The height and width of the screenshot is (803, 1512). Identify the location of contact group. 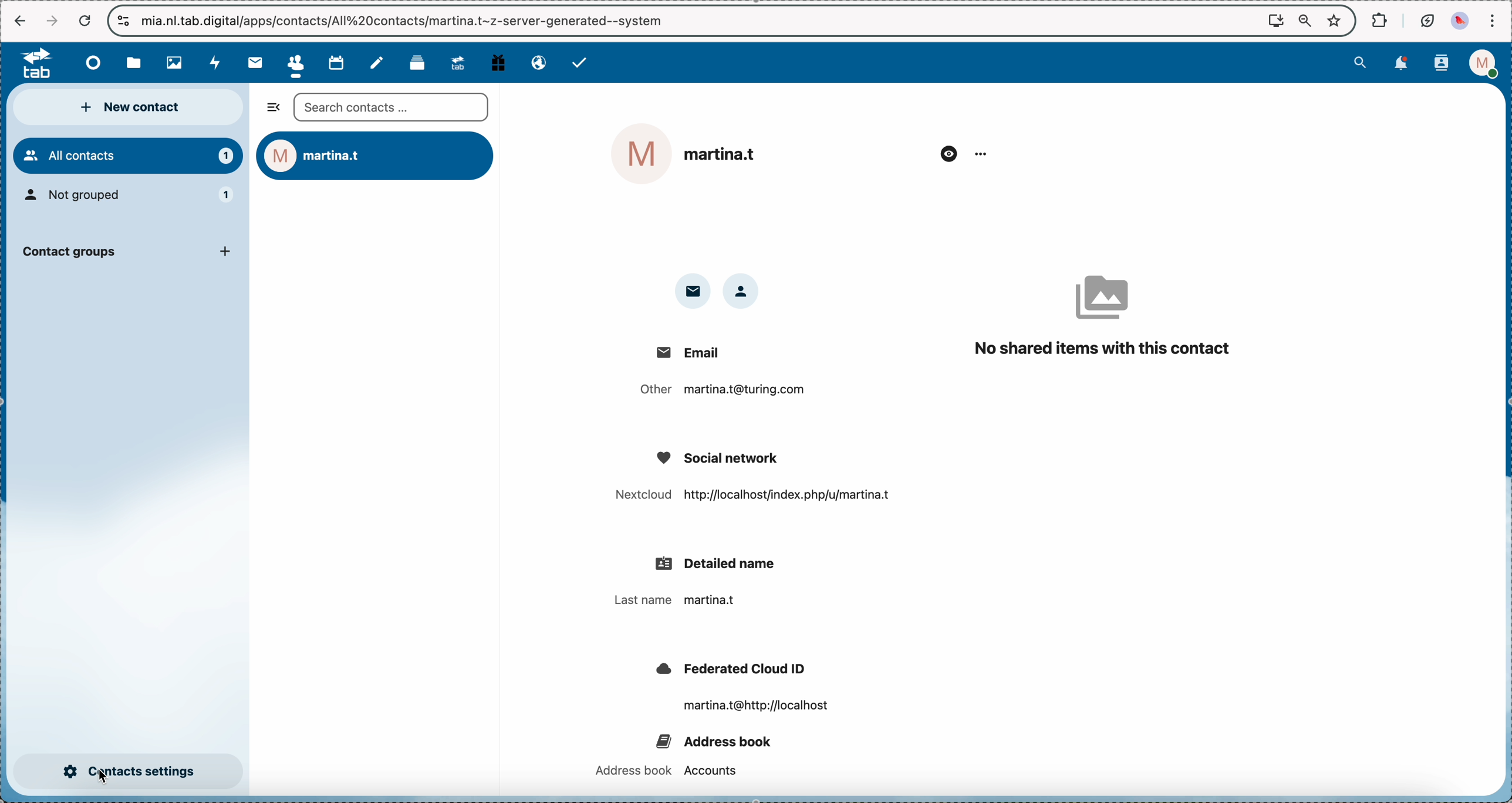
(127, 255).